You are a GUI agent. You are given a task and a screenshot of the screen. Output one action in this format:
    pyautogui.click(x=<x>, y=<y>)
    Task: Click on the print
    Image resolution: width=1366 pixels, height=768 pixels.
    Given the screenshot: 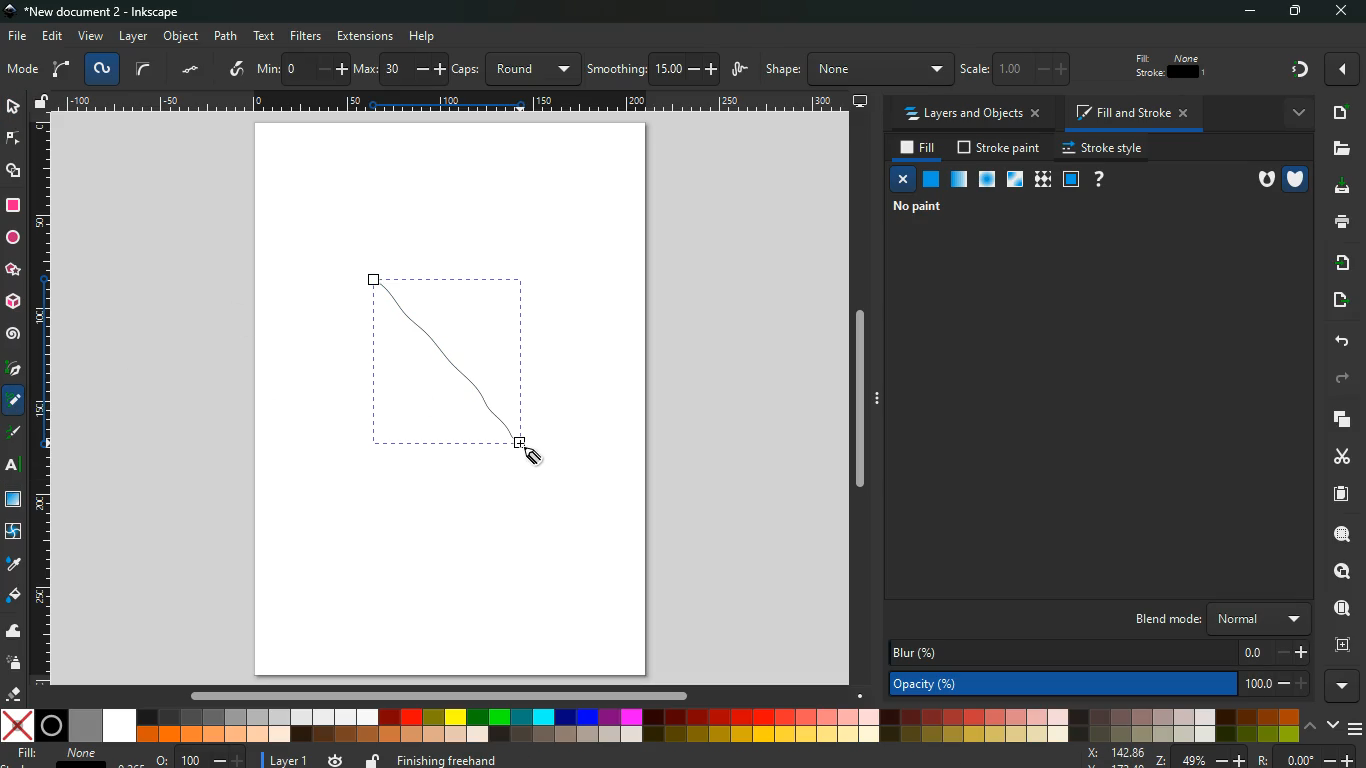 What is the action you would take?
    pyautogui.click(x=1336, y=221)
    